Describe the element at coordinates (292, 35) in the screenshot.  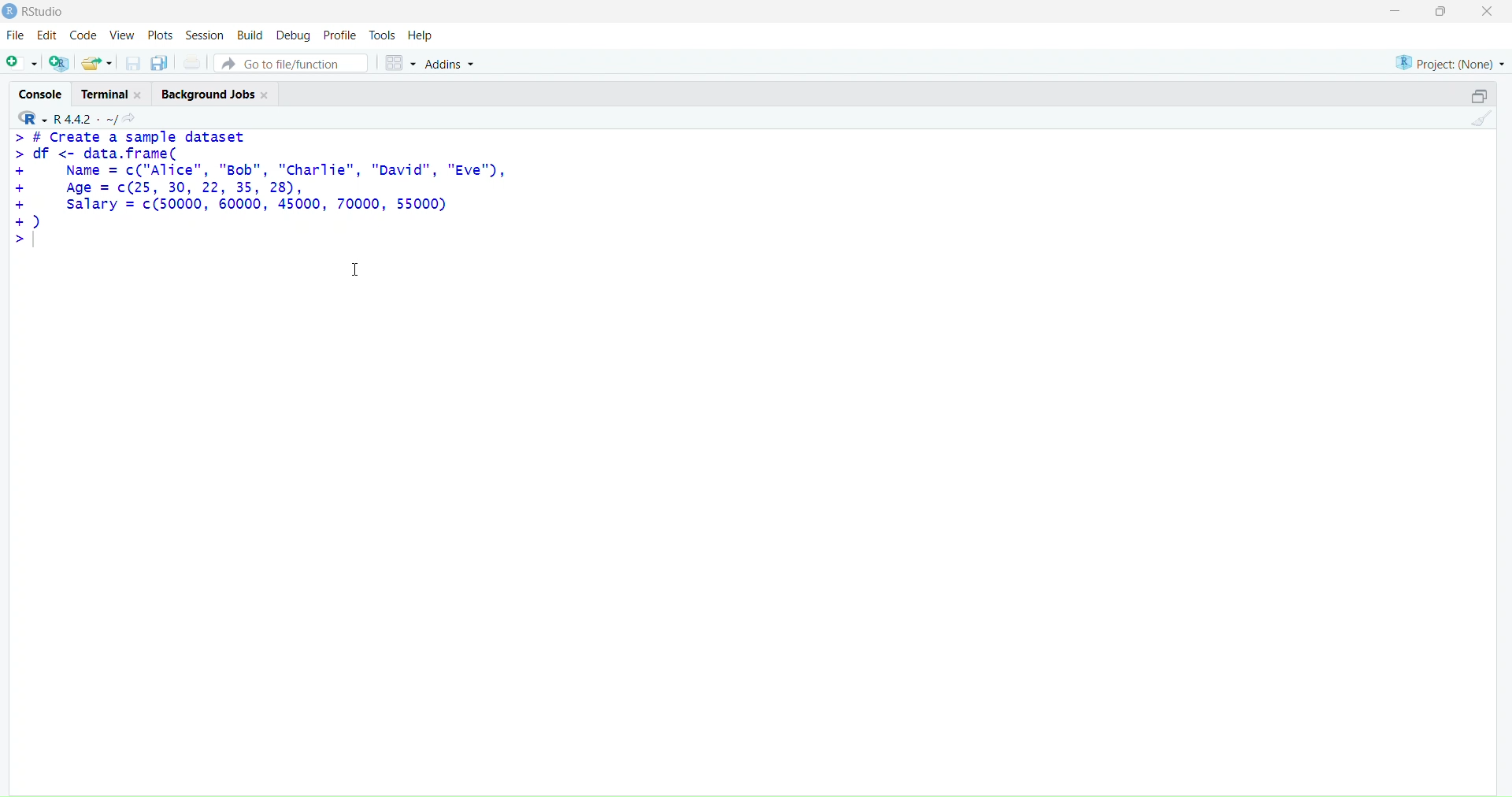
I see `debug` at that location.